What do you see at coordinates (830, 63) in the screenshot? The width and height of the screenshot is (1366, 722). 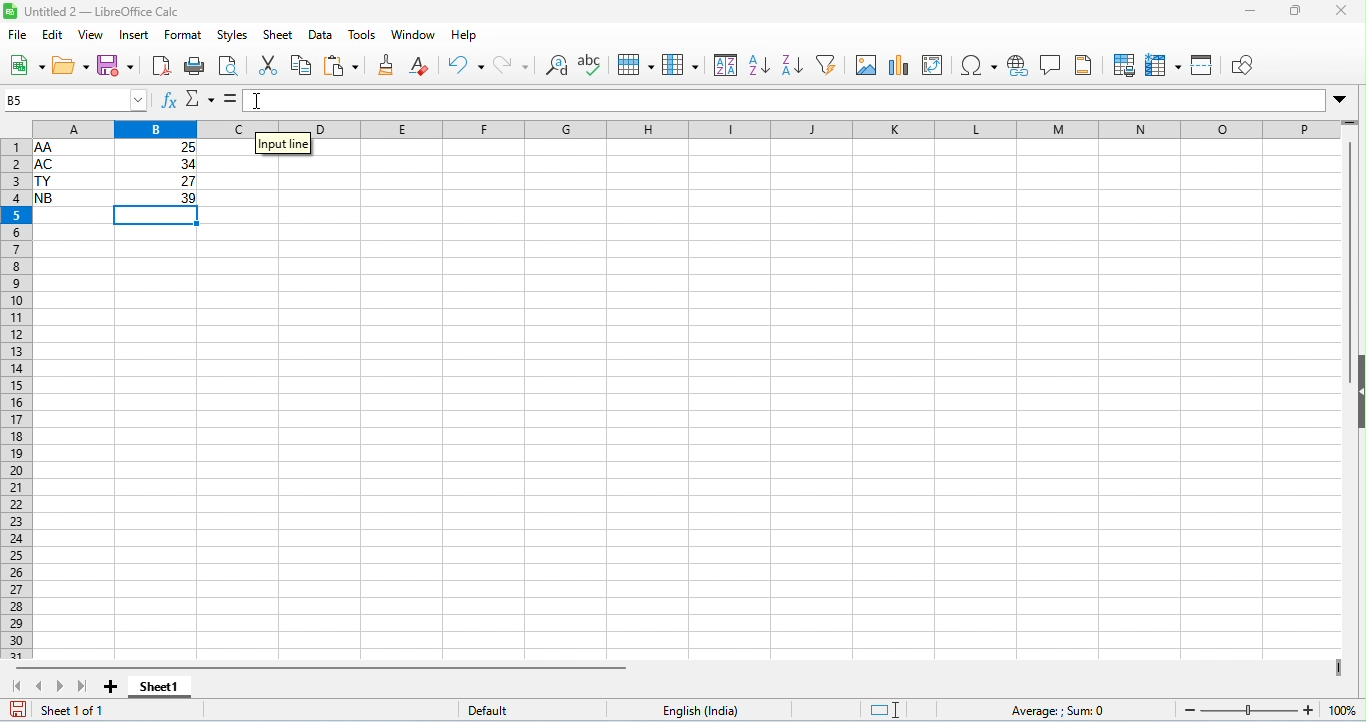 I see `filter` at bounding box center [830, 63].